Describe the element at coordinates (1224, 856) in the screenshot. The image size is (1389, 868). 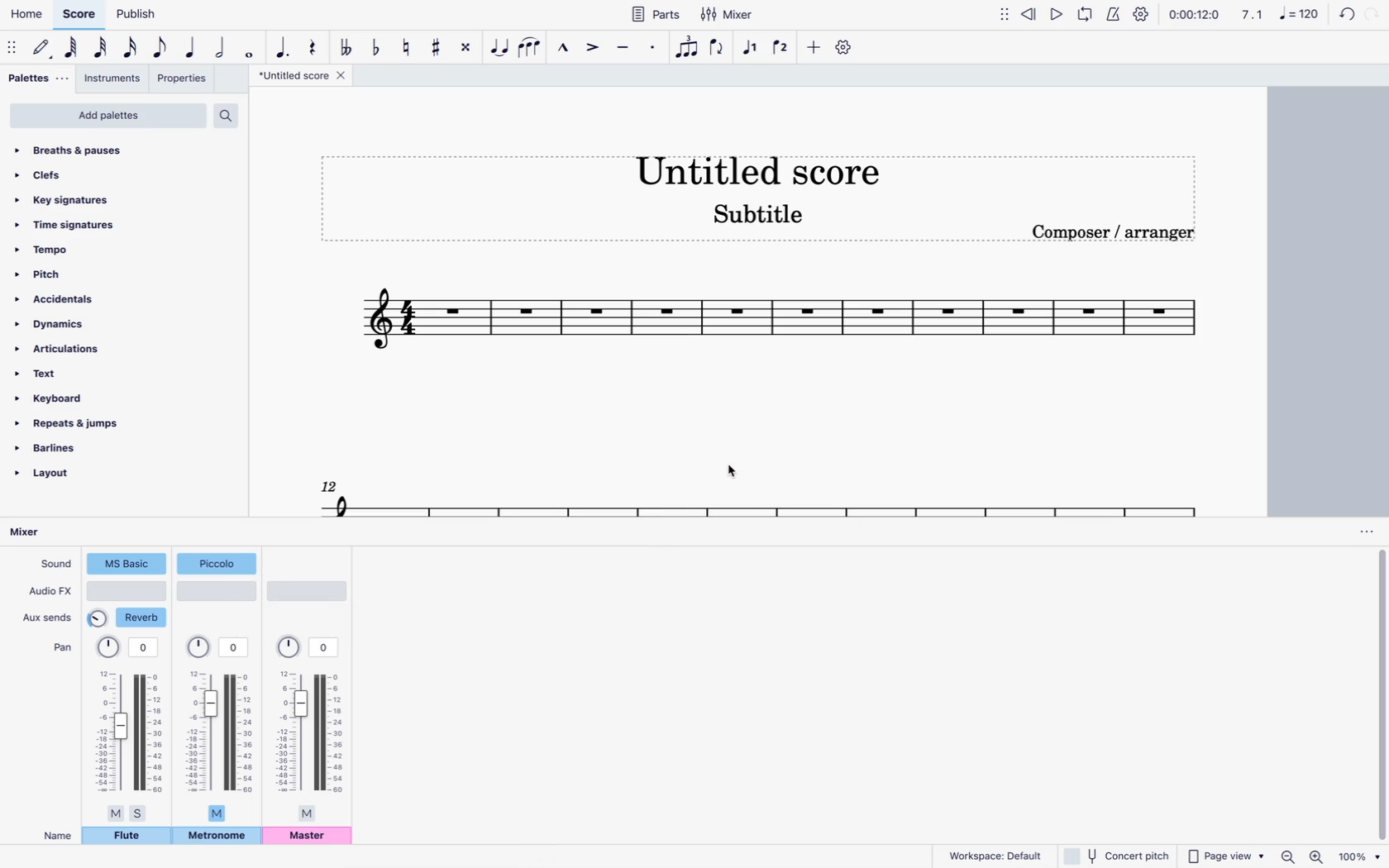
I see `page view` at that location.